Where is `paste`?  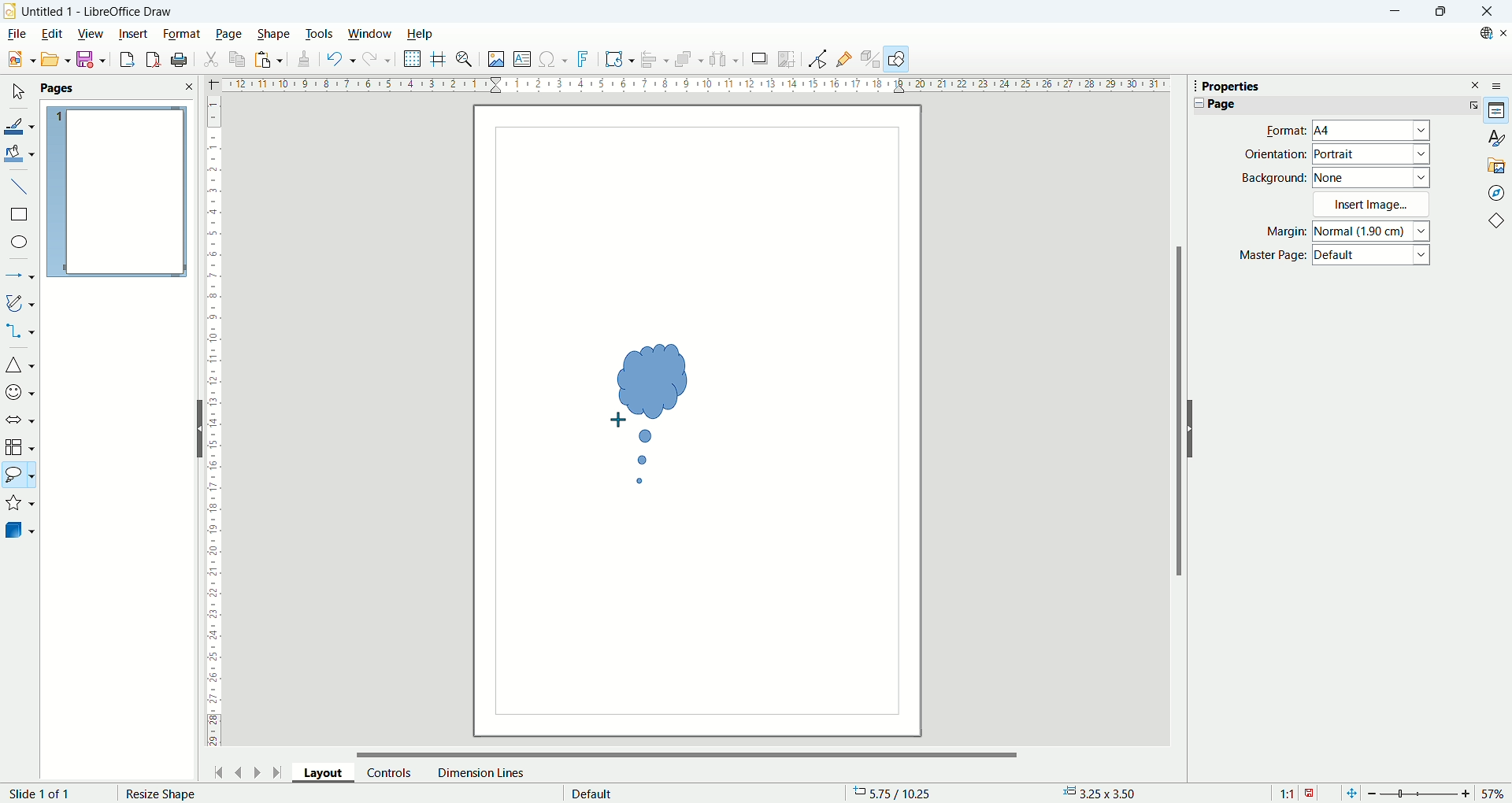 paste is located at coordinates (268, 59).